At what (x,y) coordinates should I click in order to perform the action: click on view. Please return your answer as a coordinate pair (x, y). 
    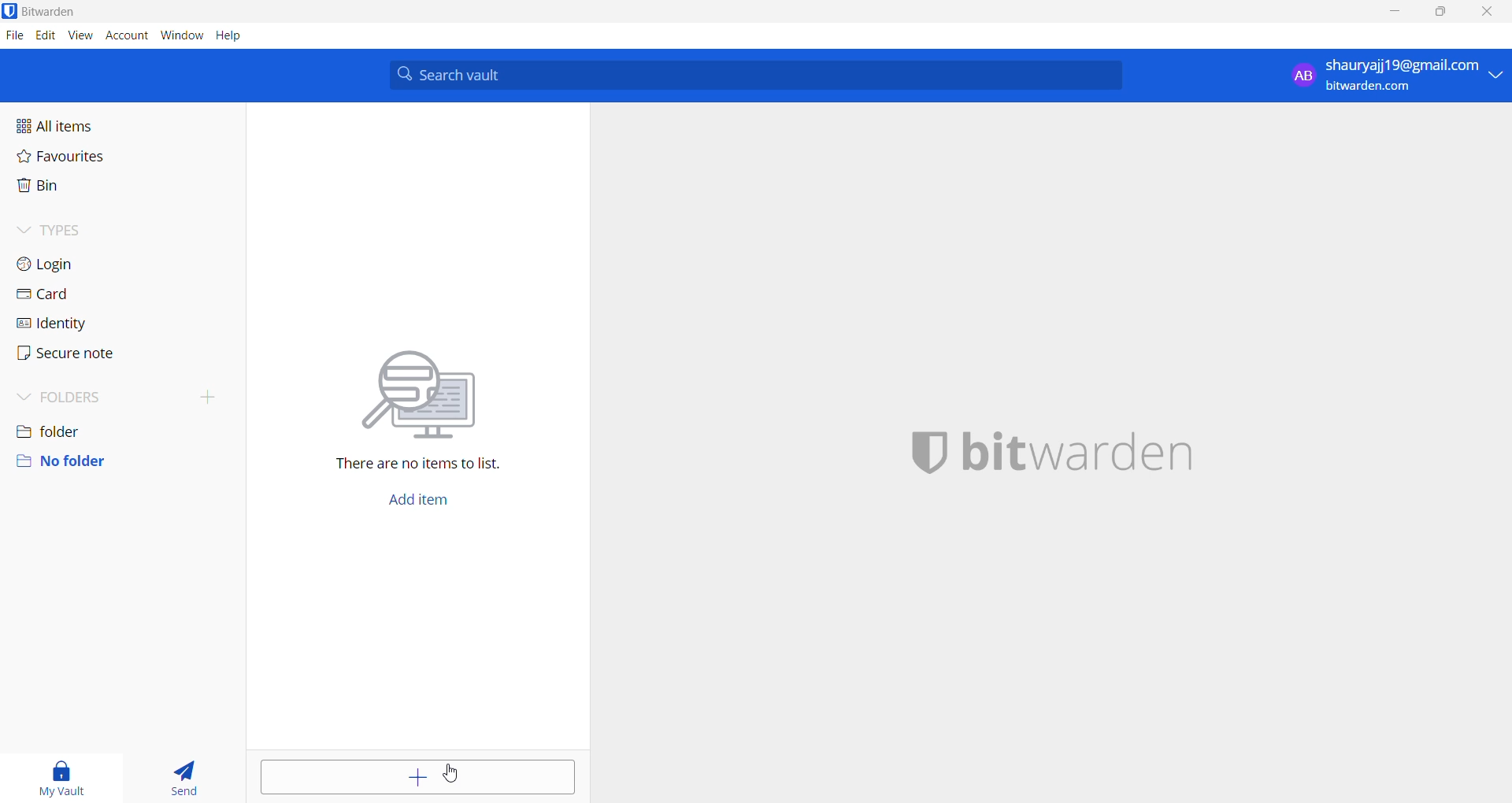
    Looking at the image, I should click on (78, 36).